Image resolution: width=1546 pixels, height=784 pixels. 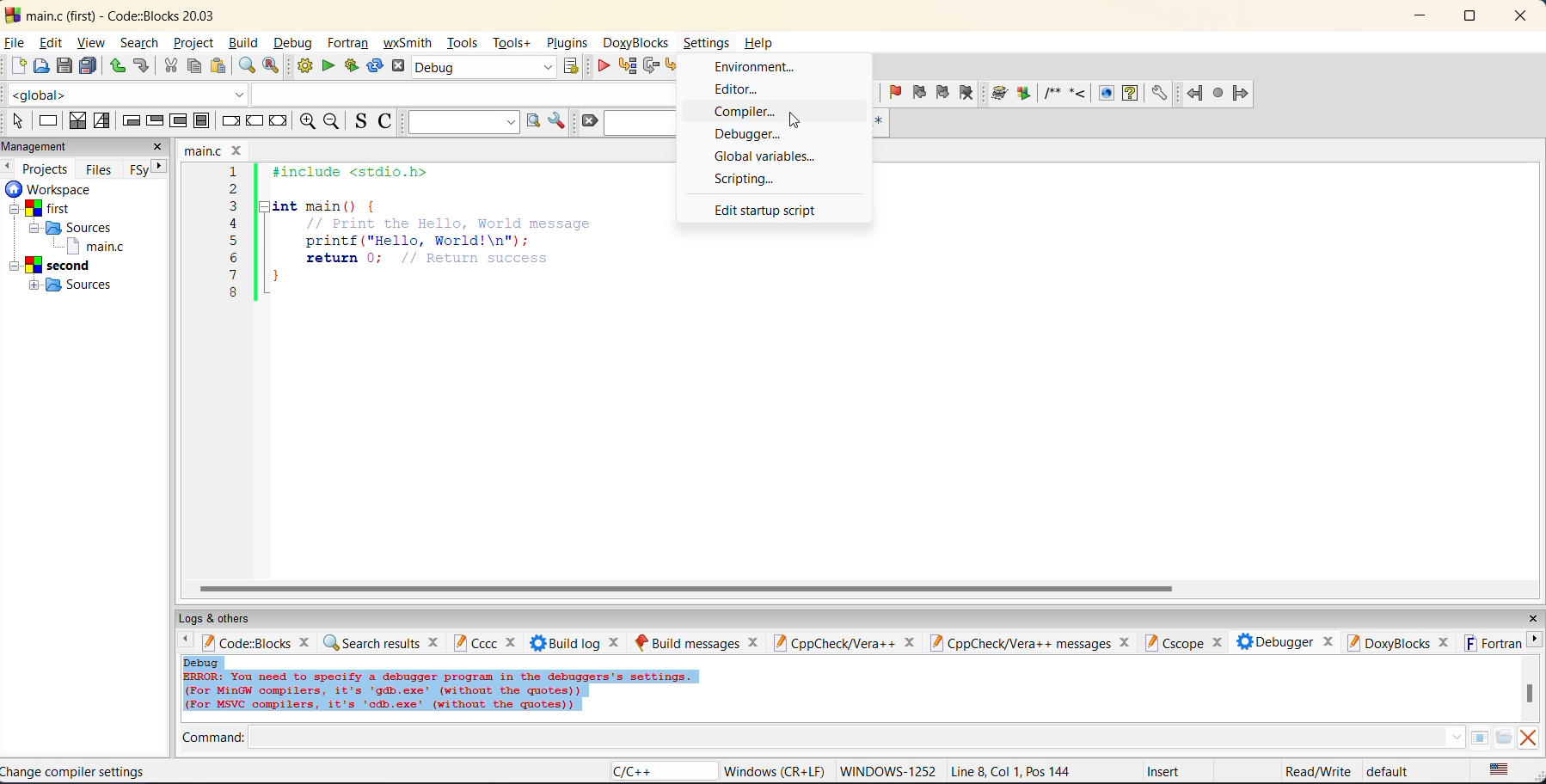 What do you see at coordinates (9, 167) in the screenshot?
I see `previous` at bounding box center [9, 167].